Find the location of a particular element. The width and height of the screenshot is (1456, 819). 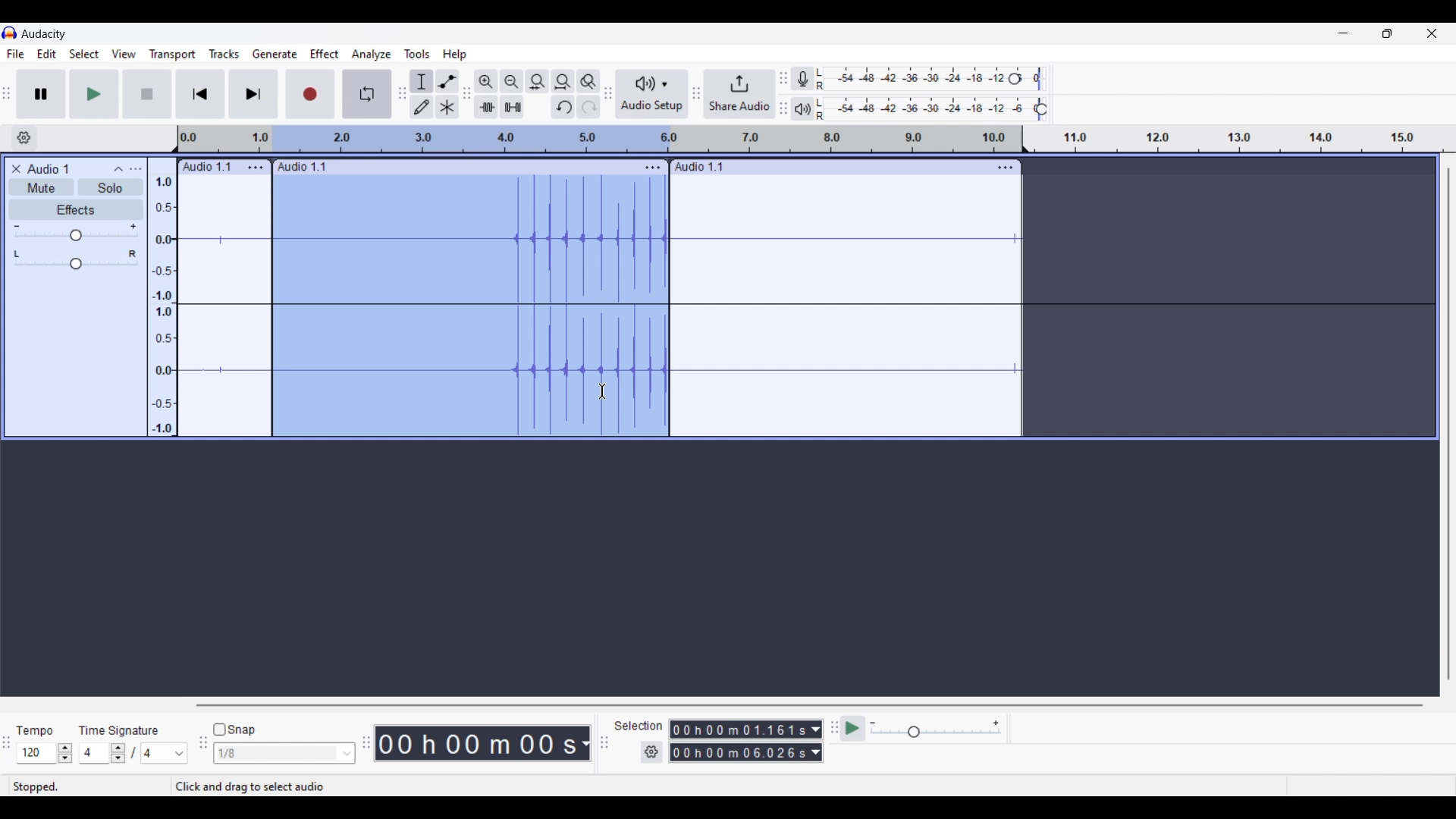

Pan to right is located at coordinates (133, 254).